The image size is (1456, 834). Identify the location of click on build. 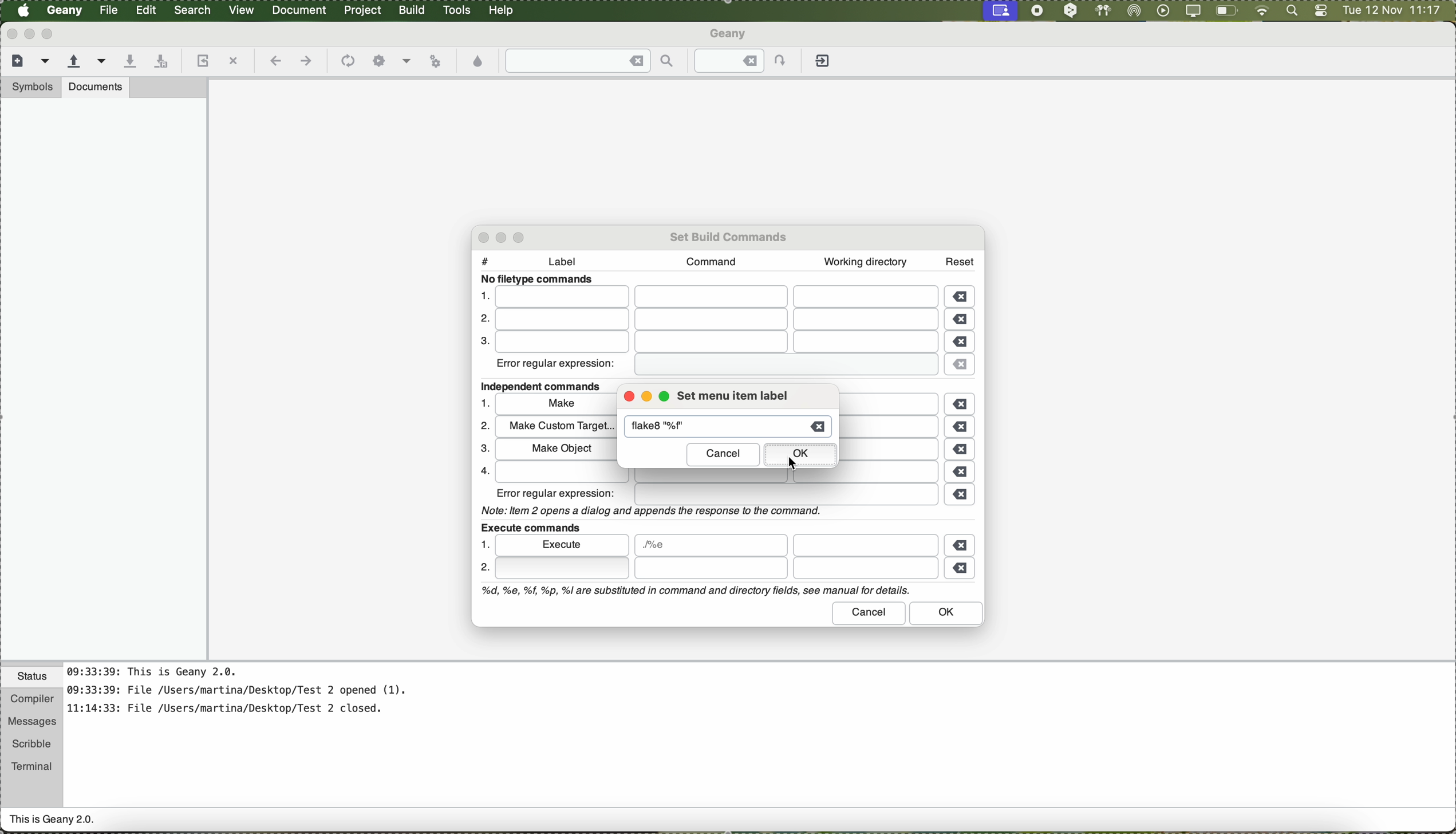
(413, 14).